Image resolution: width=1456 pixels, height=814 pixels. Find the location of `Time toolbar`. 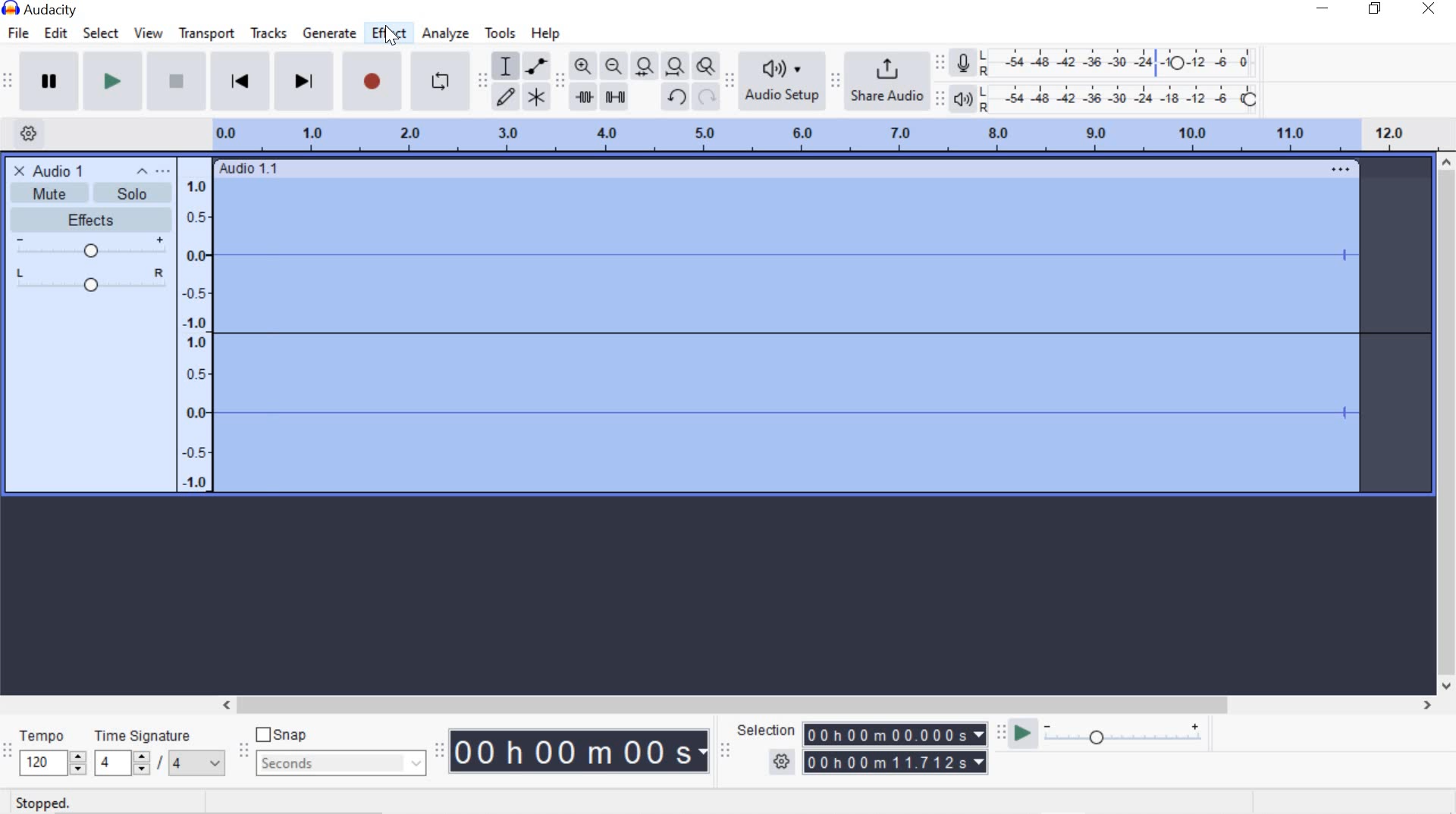

Time toolbar is located at coordinates (441, 750).